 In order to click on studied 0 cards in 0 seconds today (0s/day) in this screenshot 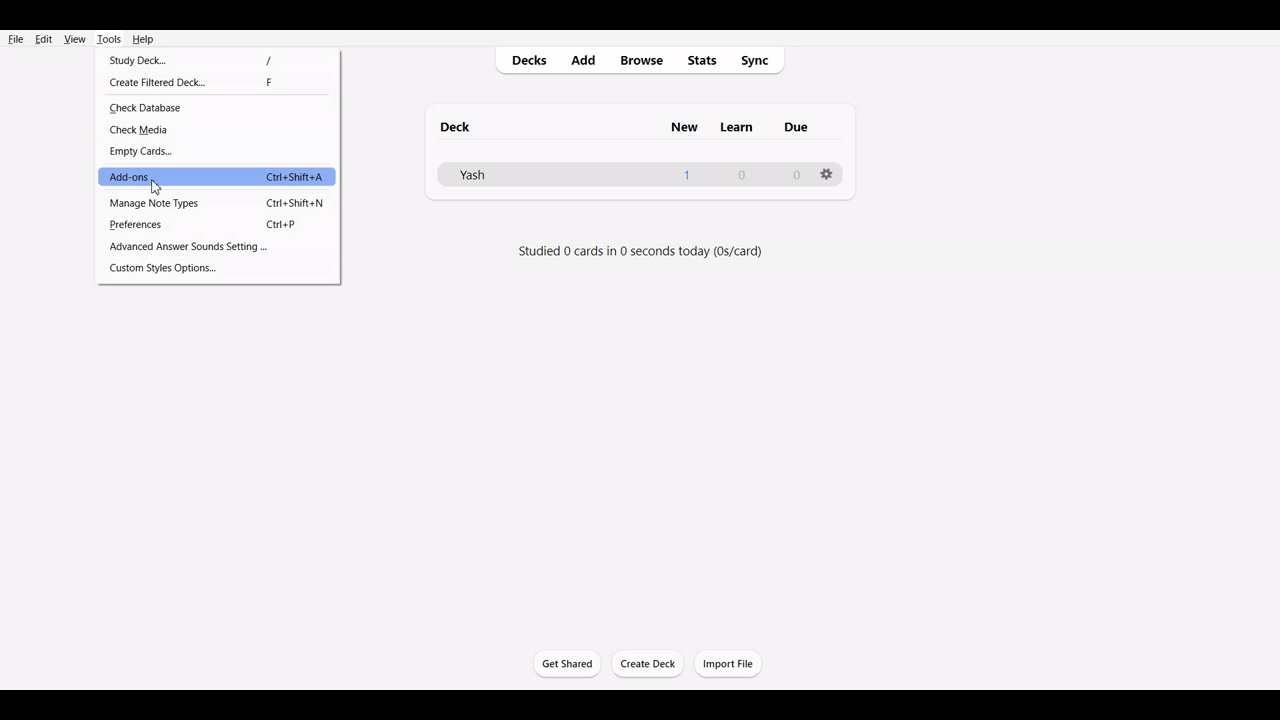, I will do `click(641, 251)`.